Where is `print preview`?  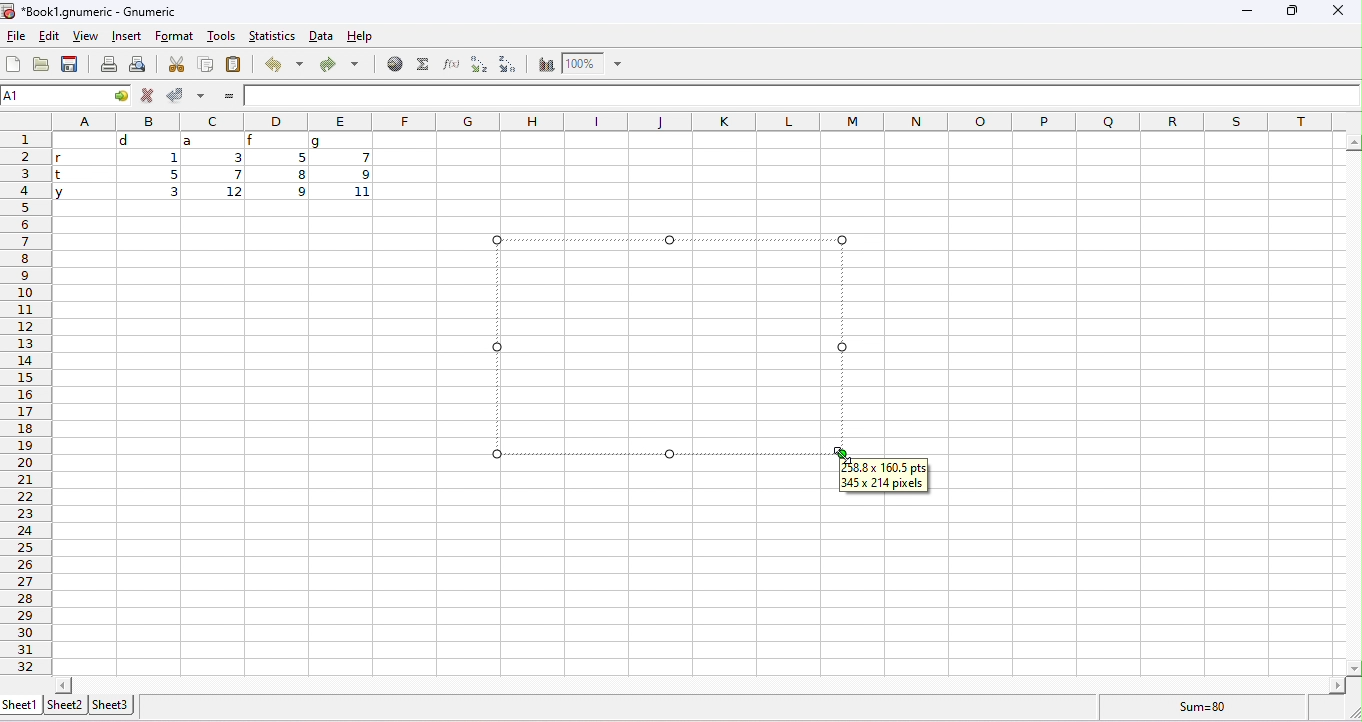 print preview is located at coordinates (141, 64).